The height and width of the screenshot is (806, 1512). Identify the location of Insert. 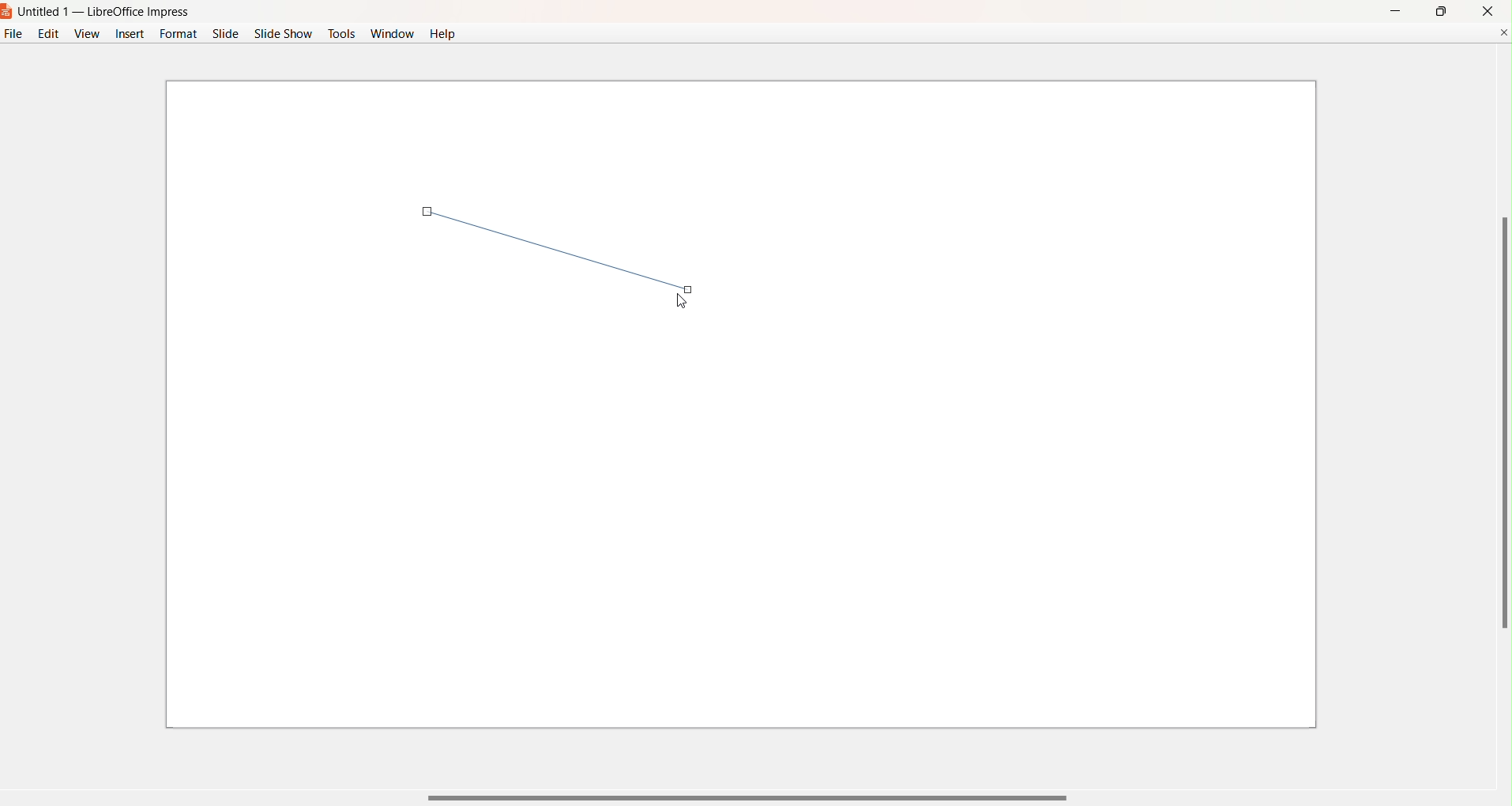
(127, 36).